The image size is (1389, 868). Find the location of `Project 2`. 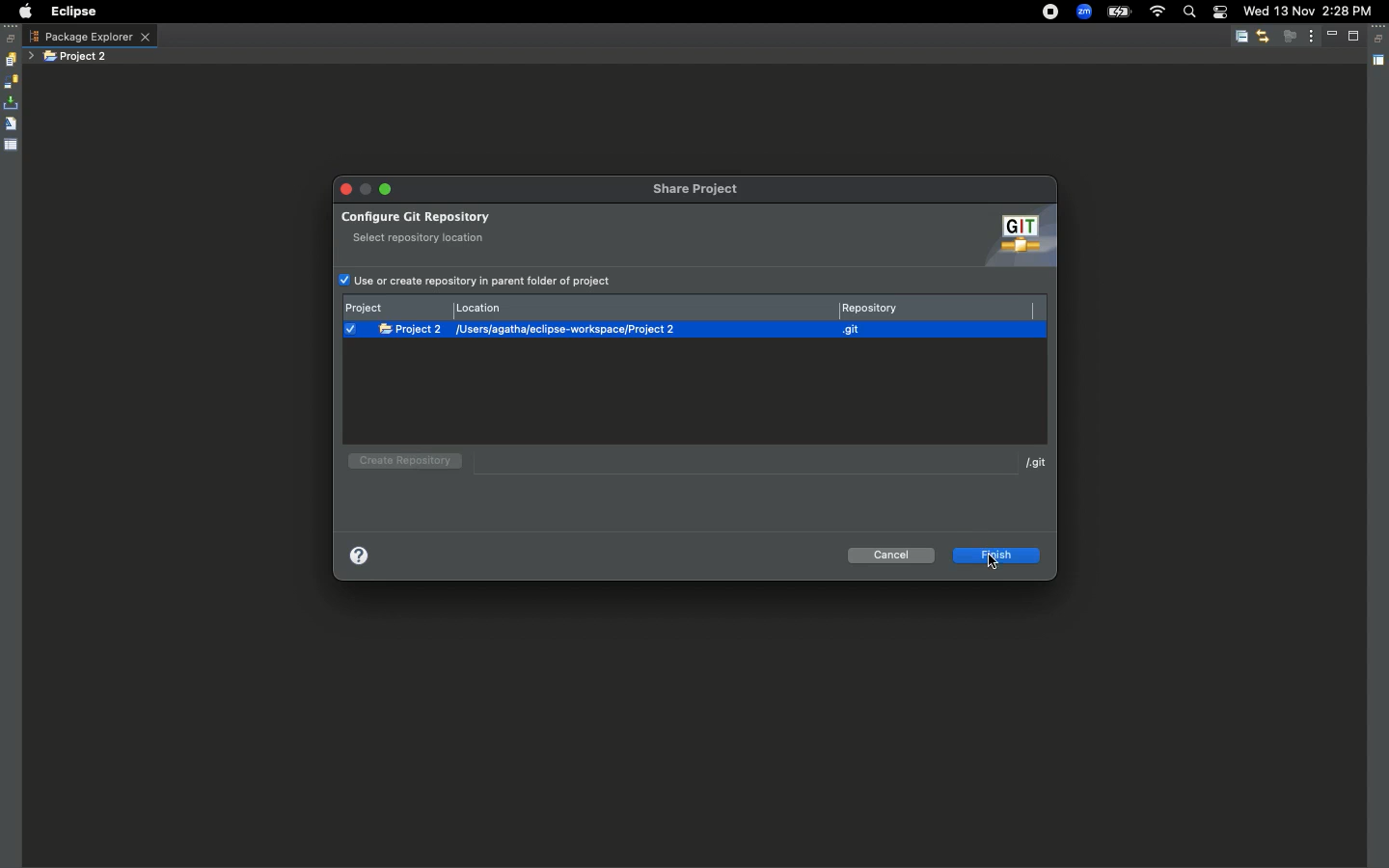

Project 2 is located at coordinates (77, 57).